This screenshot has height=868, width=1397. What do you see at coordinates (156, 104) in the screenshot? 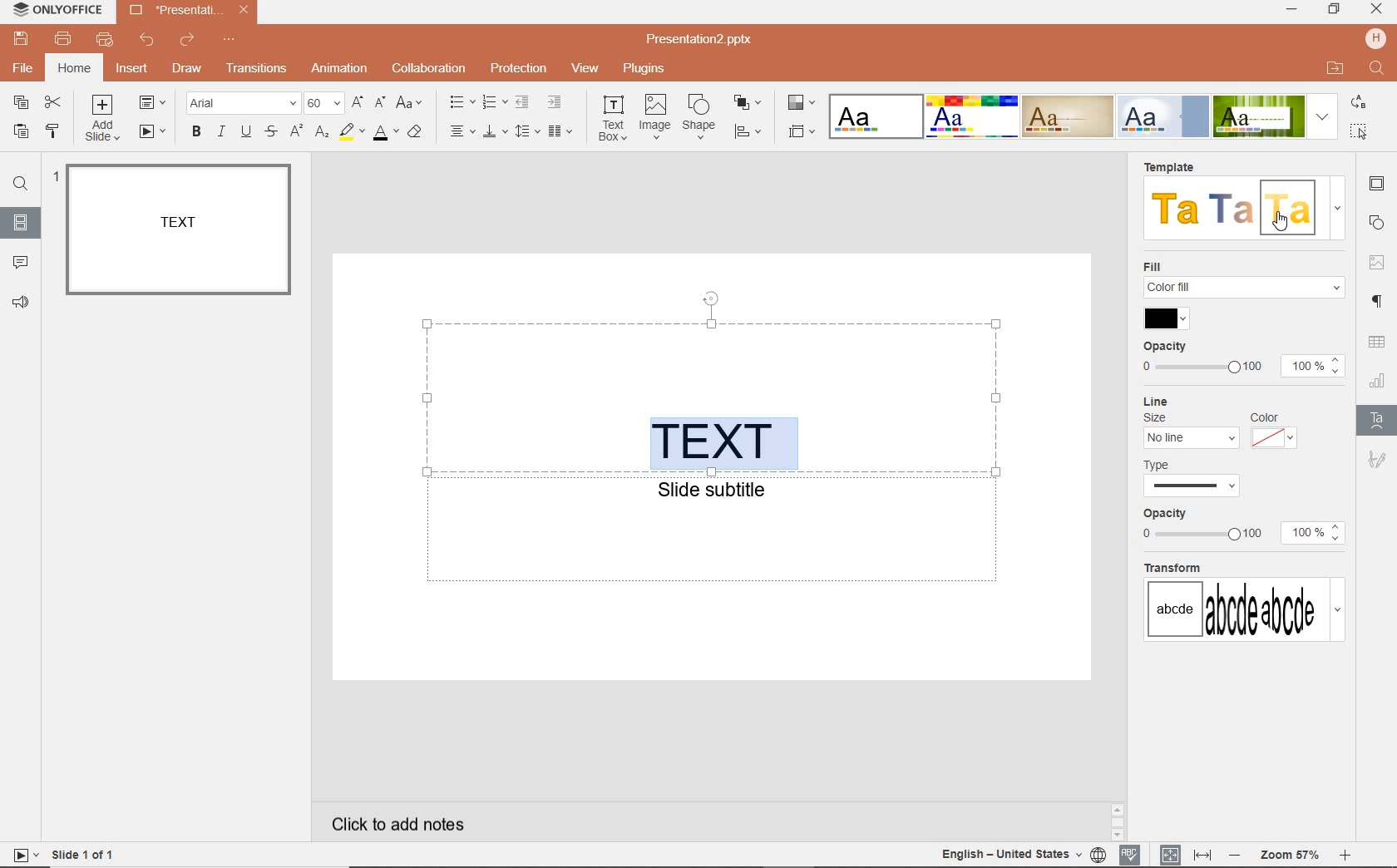
I see `CHANGE SLIDE LAYOUT` at bounding box center [156, 104].